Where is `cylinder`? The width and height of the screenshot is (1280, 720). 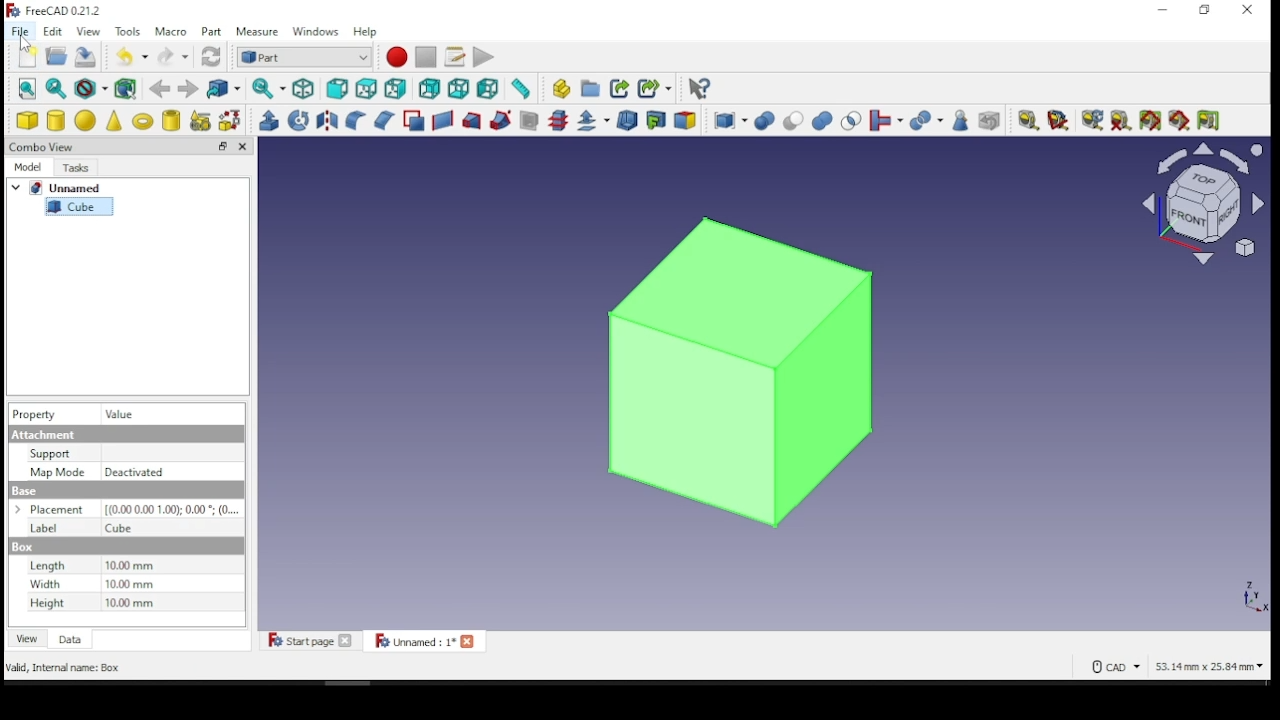 cylinder is located at coordinates (56, 121).